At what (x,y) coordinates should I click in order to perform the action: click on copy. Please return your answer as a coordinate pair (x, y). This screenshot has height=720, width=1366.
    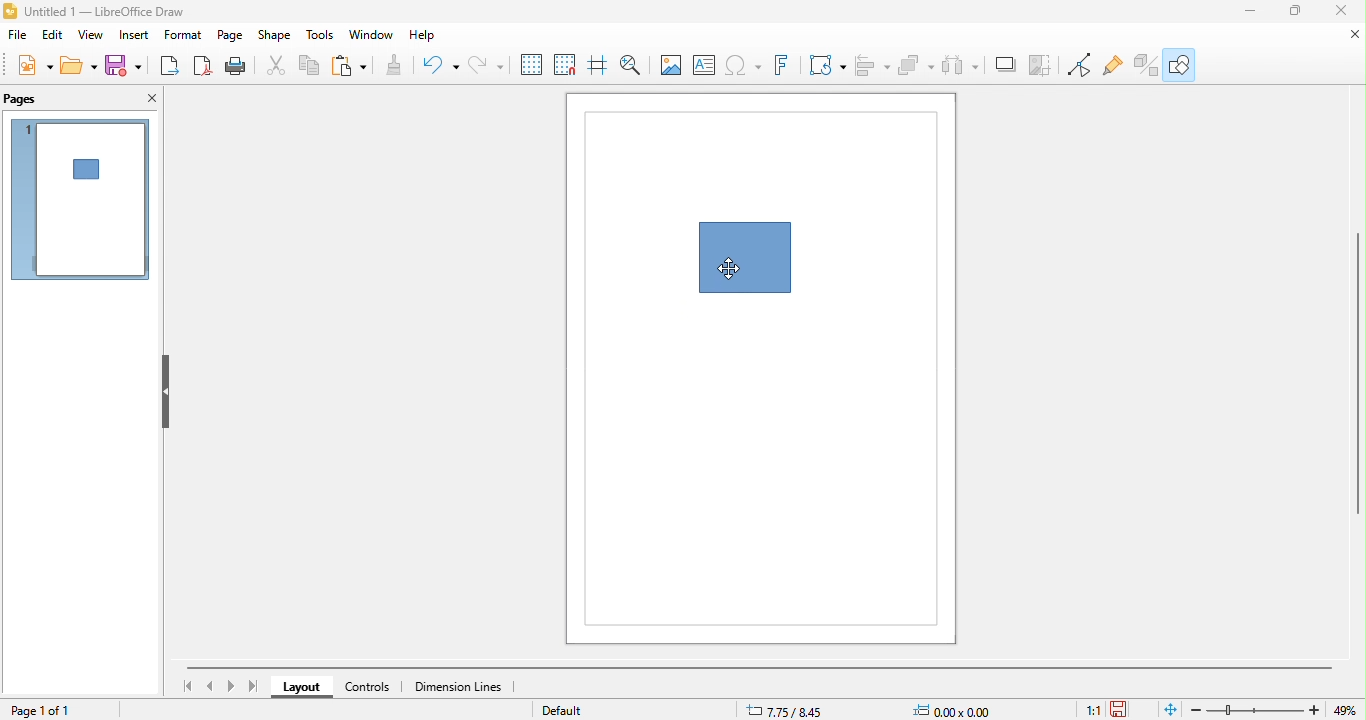
    Looking at the image, I should click on (312, 67).